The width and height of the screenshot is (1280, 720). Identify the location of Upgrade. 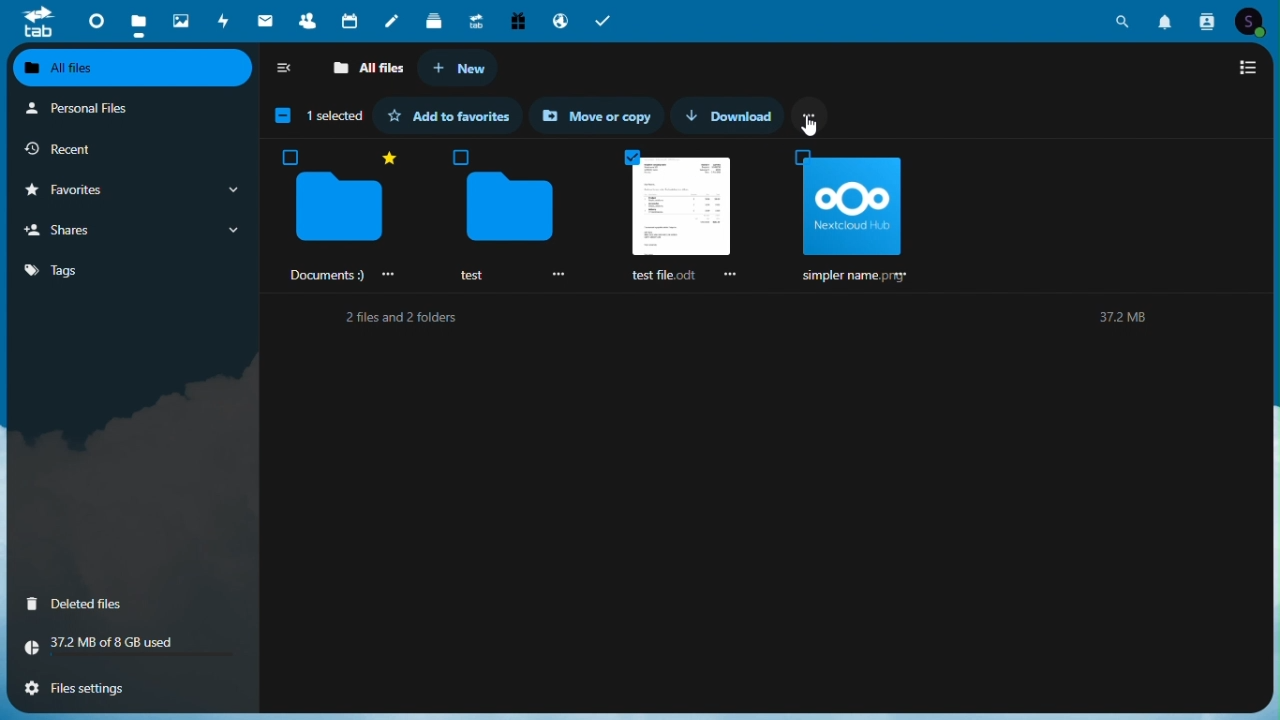
(475, 20).